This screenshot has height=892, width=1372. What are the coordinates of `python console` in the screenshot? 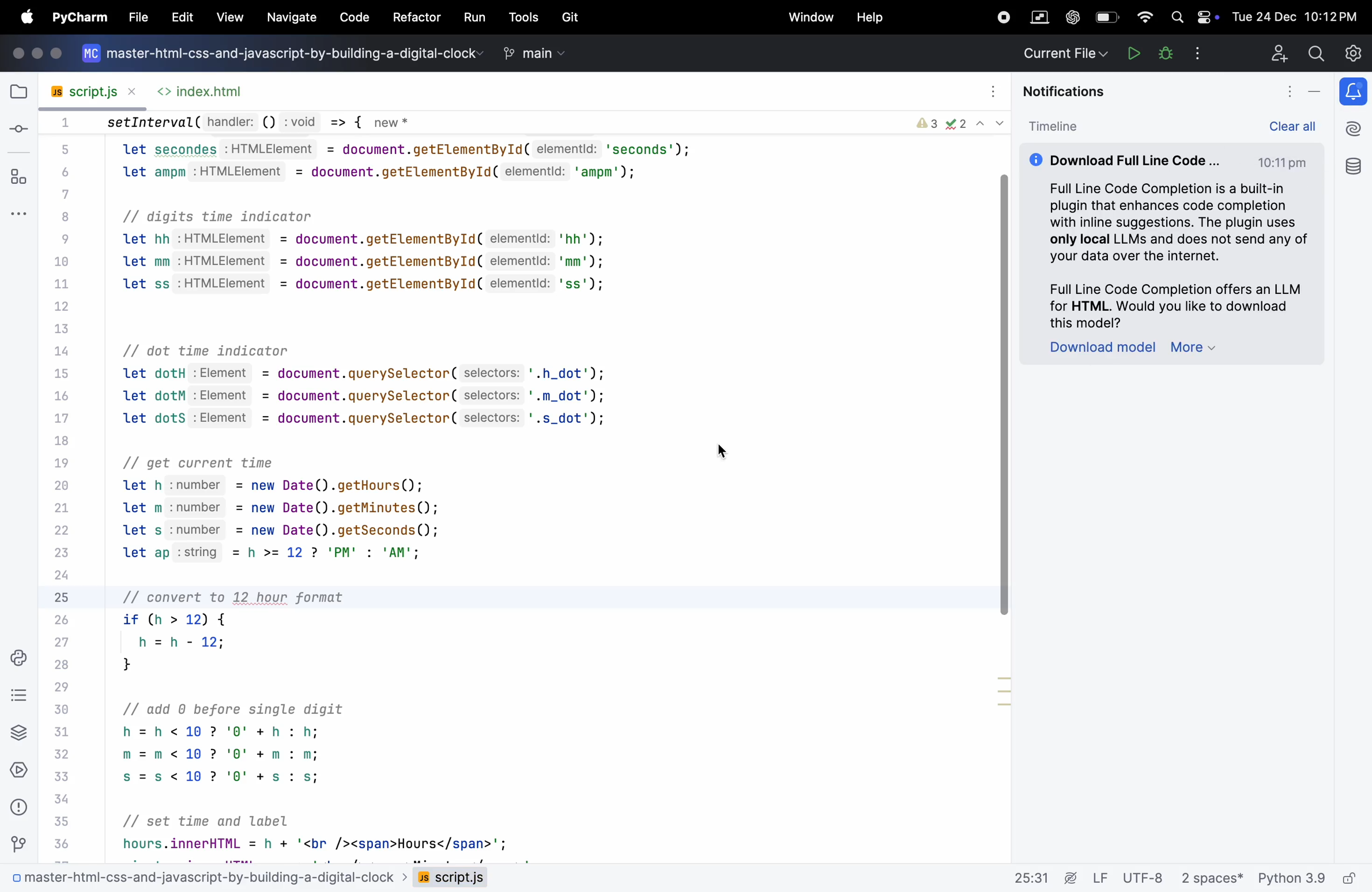 It's located at (17, 659).